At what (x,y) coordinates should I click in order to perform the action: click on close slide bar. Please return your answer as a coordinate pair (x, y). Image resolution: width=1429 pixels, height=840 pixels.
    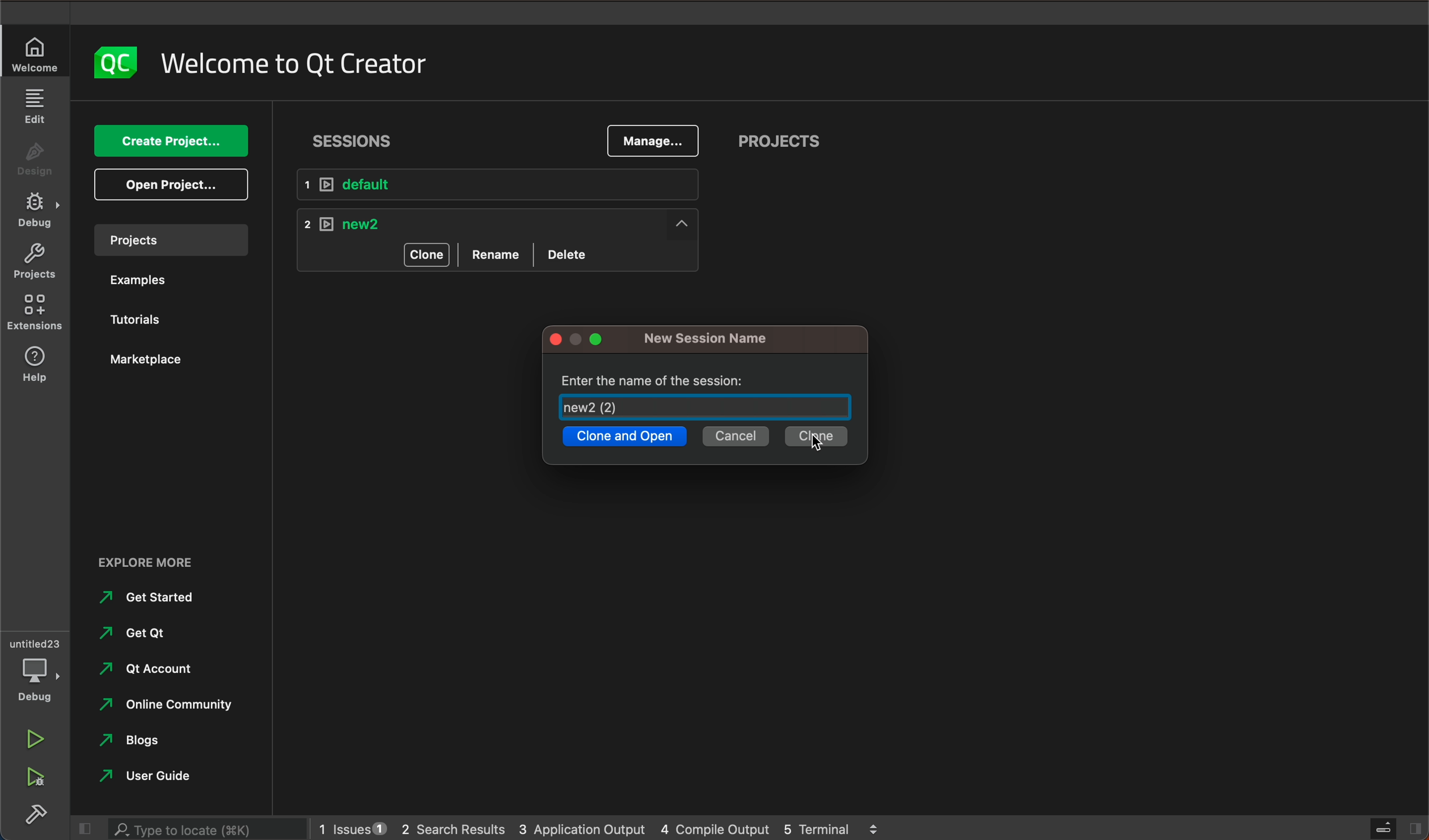
    Looking at the image, I should click on (83, 828).